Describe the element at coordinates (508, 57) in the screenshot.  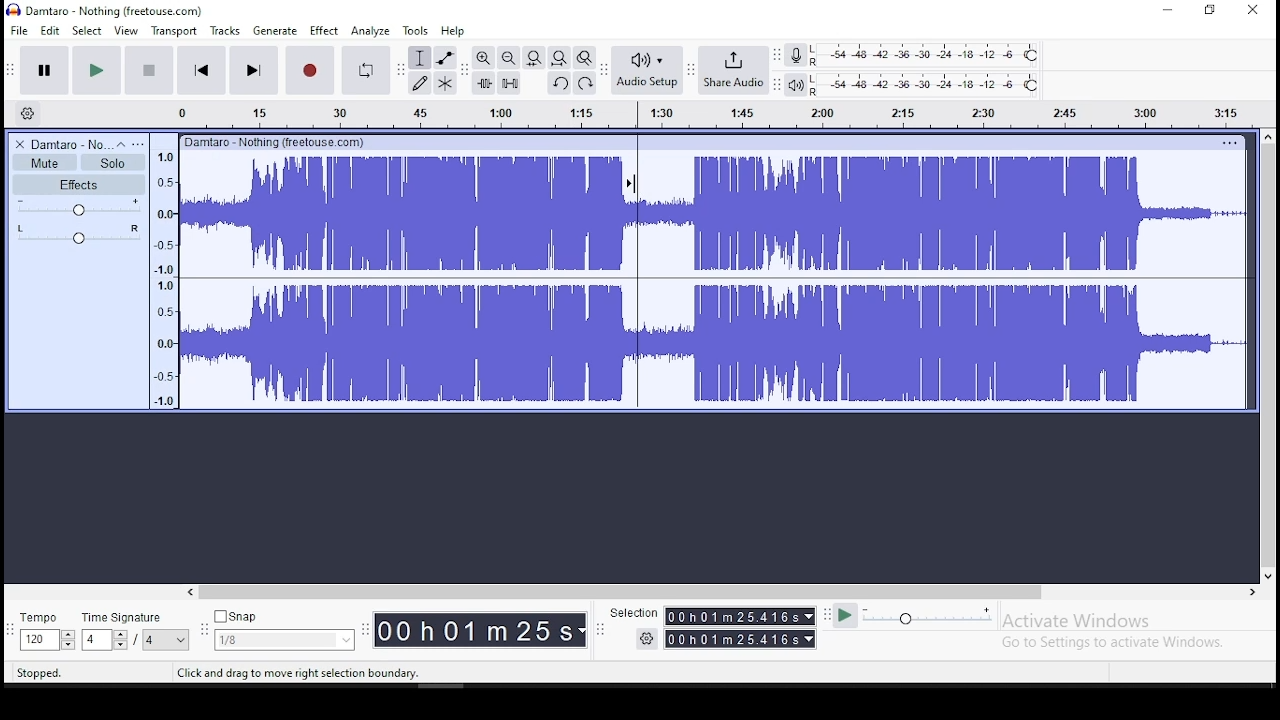
I see `zoom out` at that location.